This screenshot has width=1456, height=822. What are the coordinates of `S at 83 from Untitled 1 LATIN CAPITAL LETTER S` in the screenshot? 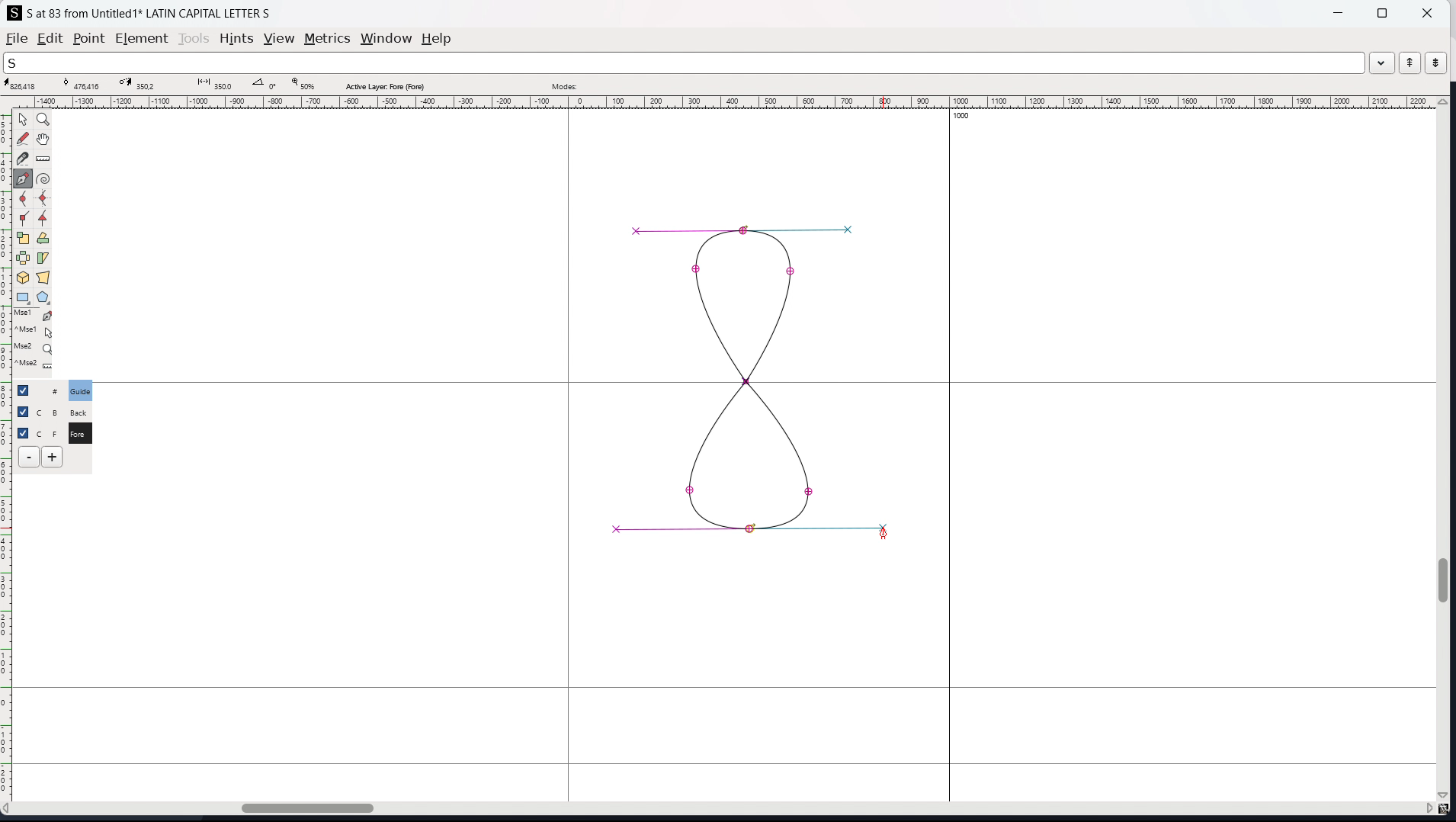 It's located at (149, 12).